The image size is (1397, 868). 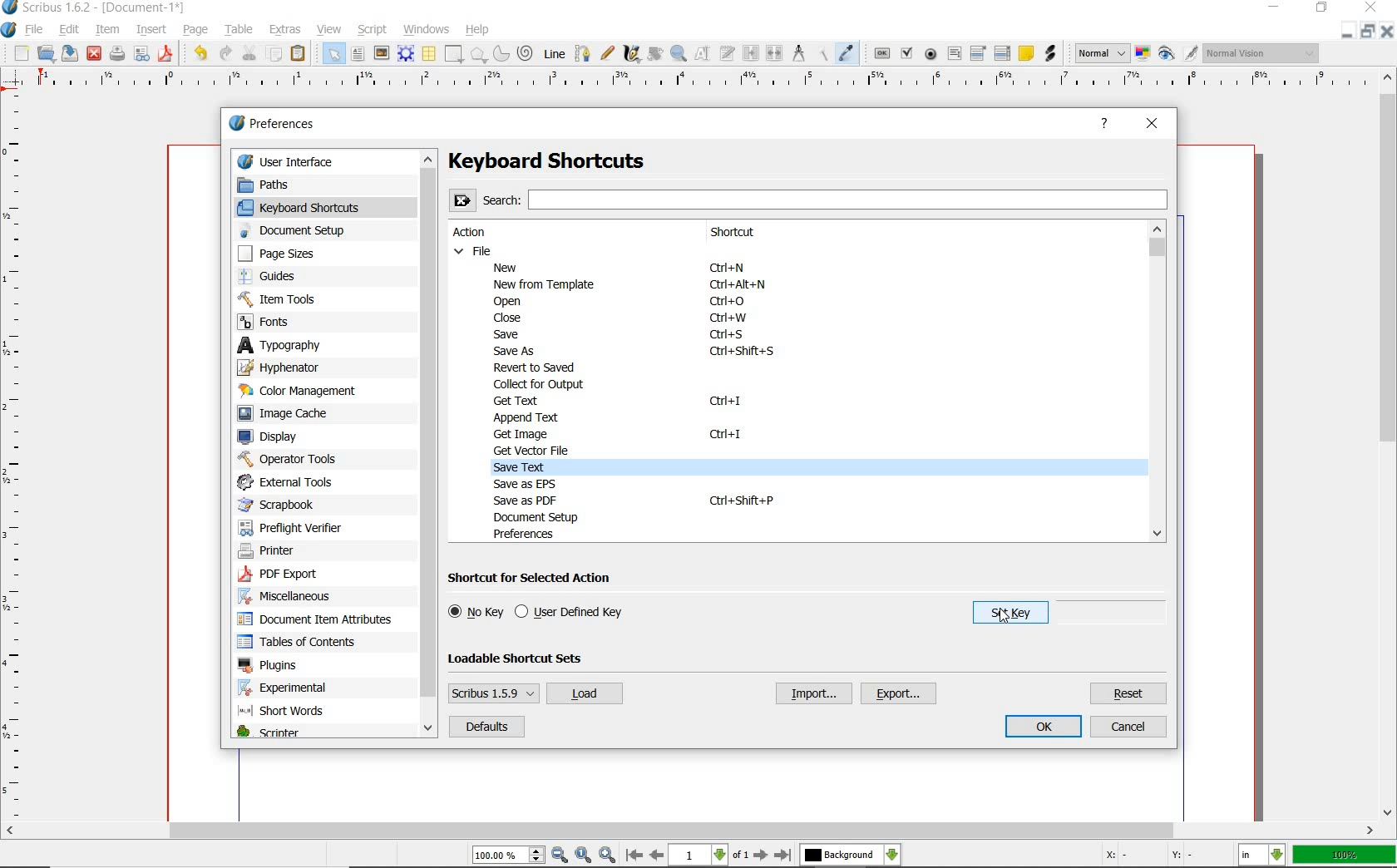 I want to click on image frame, so click(x=382, y=55).